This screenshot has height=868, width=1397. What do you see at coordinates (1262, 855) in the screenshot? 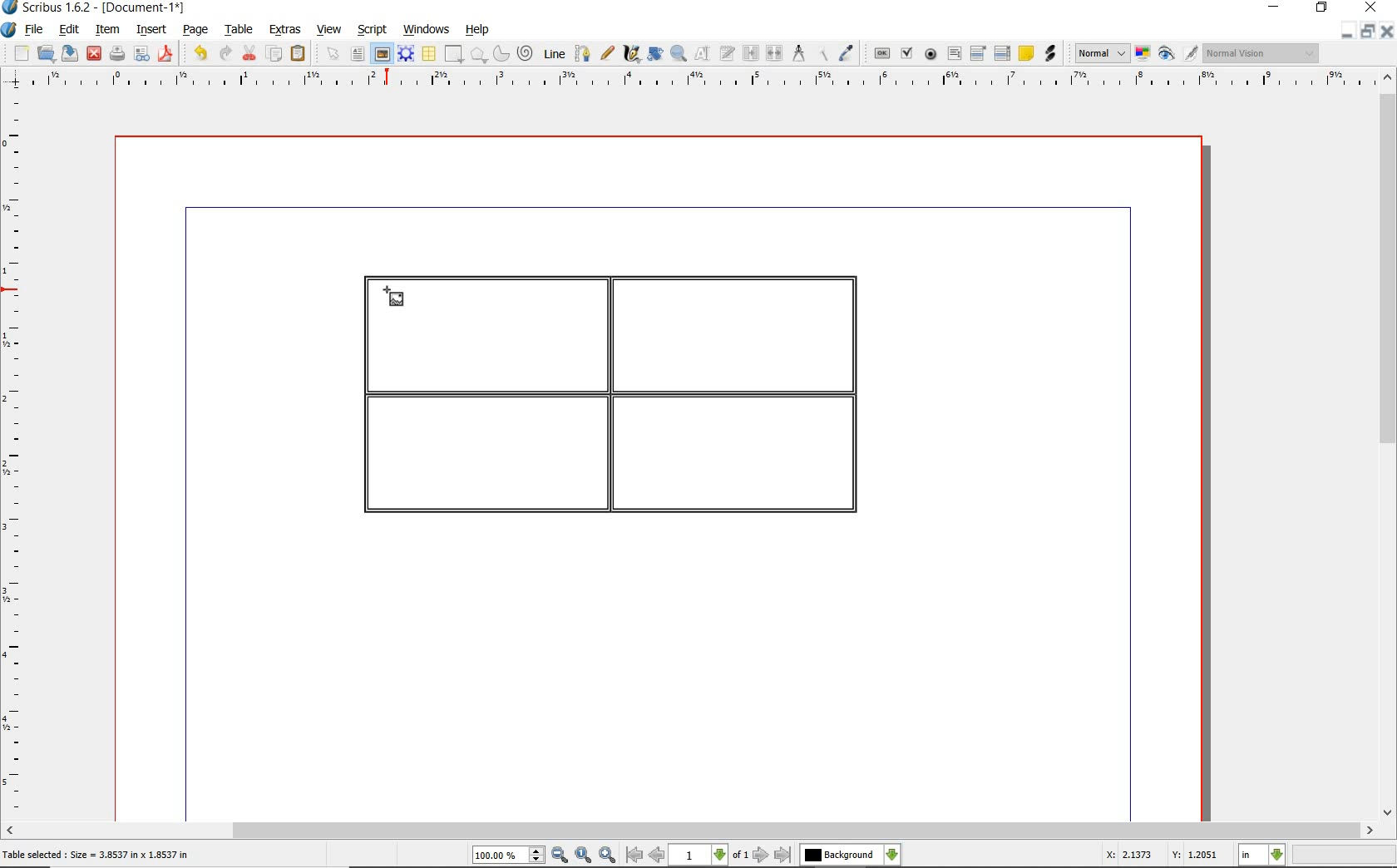
I see `select measurement` at bounding box center [1262, 855].